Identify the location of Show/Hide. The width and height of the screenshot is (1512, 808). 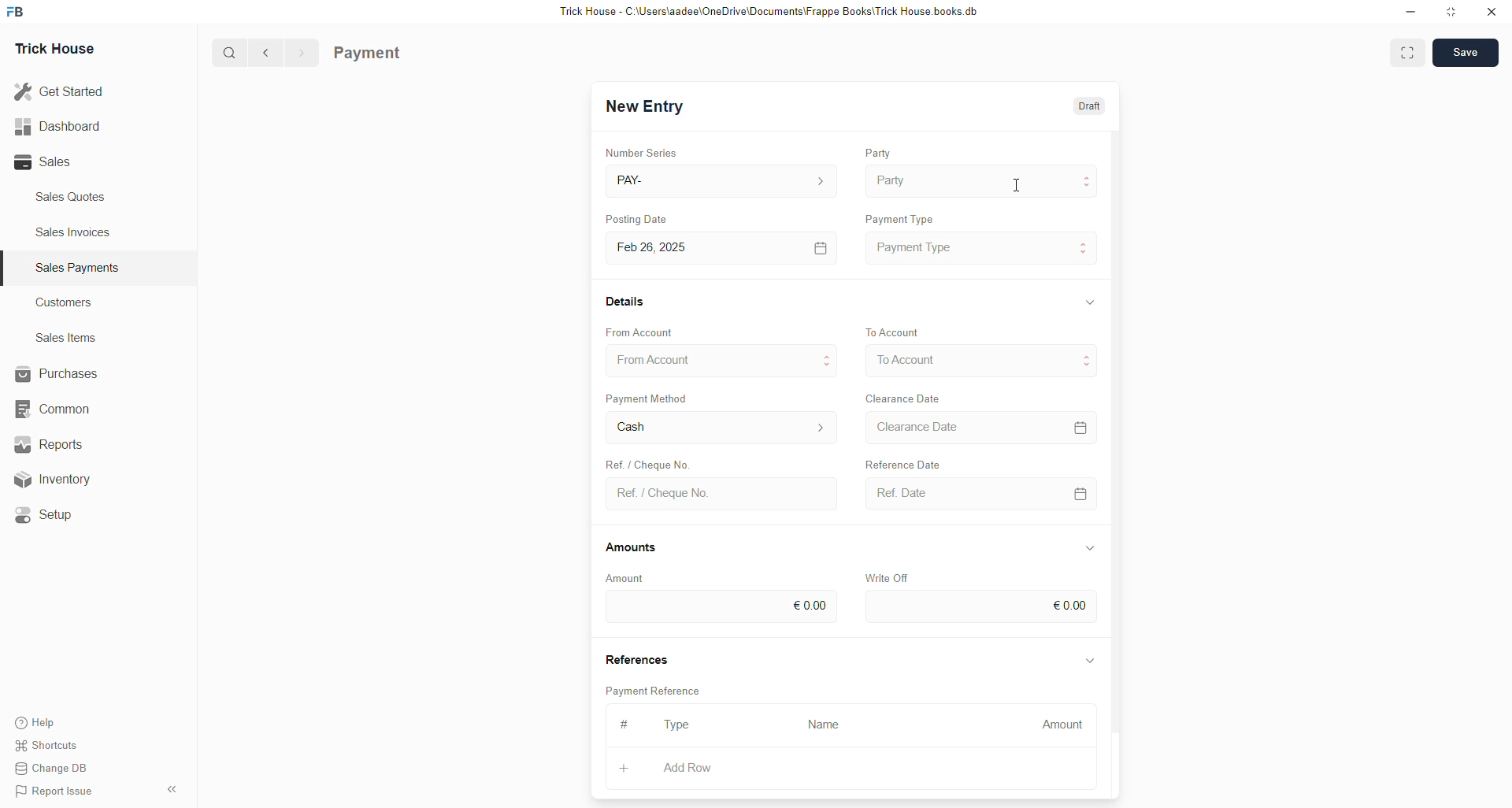
(1091, 302).